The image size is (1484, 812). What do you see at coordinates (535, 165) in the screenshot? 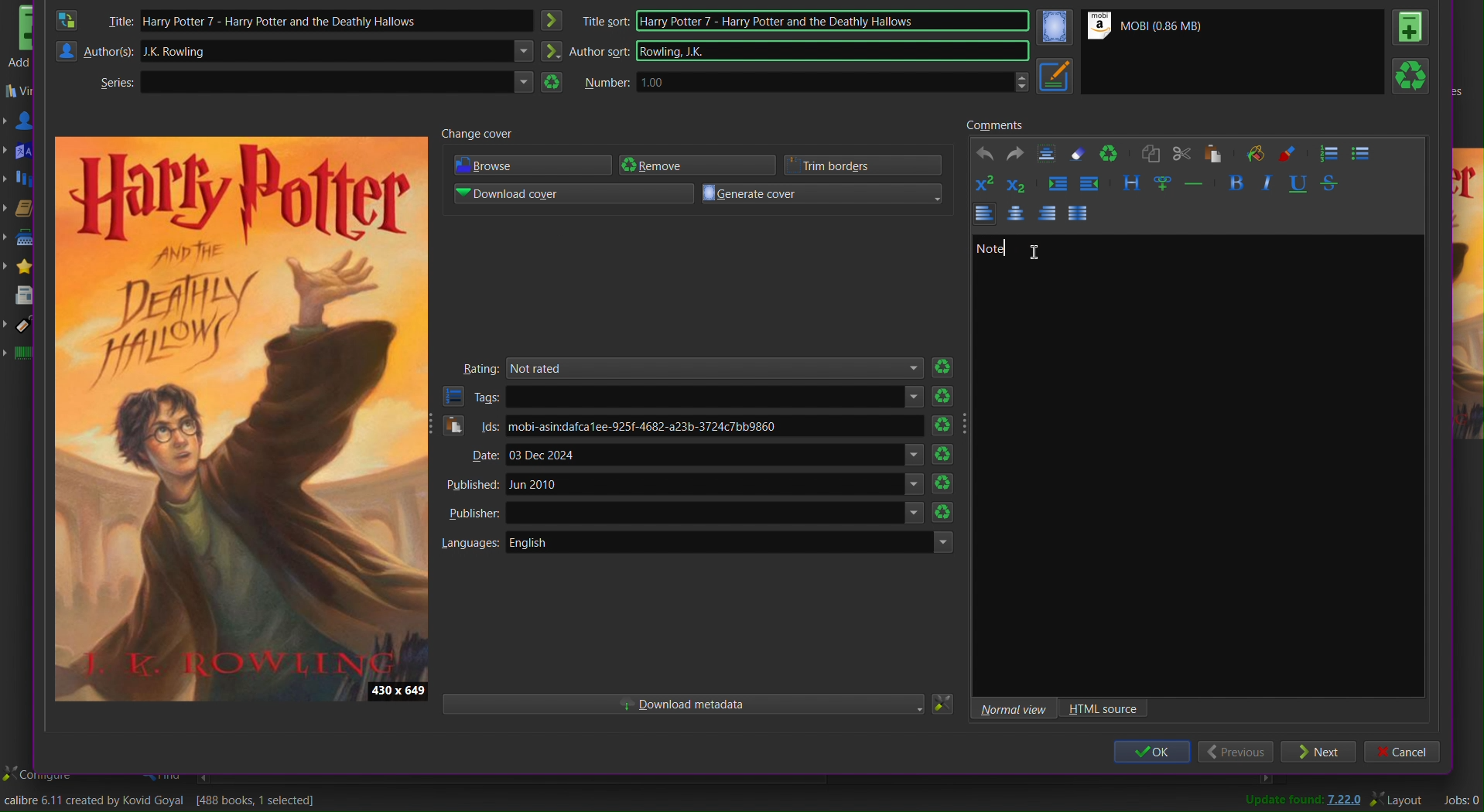
I see `Browse` at bounding box center [535, 165].